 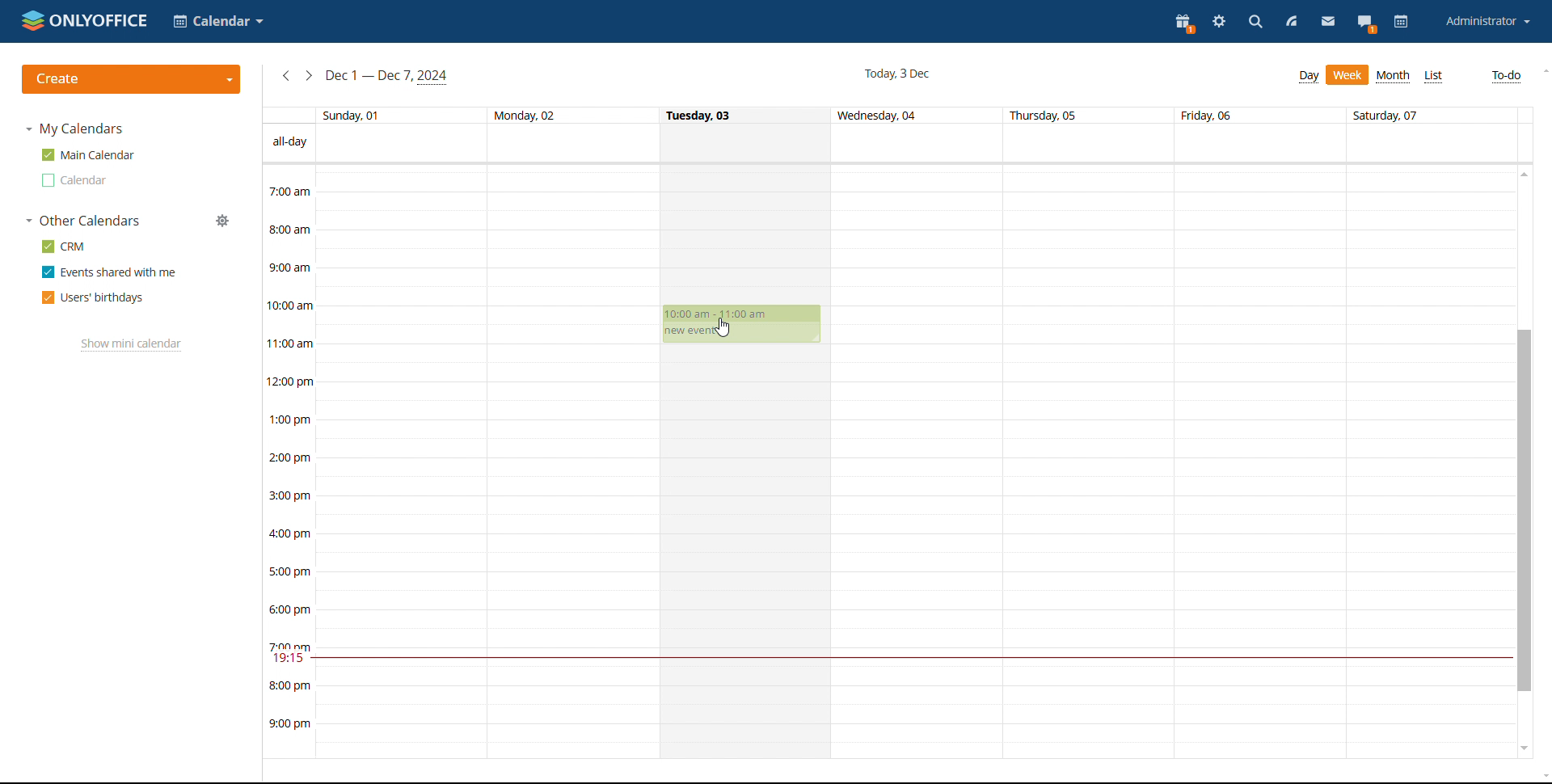 What do you see at coordinates (1292, 23) in the screenshot?
I see `feed` at bounding box center [1292, 23].